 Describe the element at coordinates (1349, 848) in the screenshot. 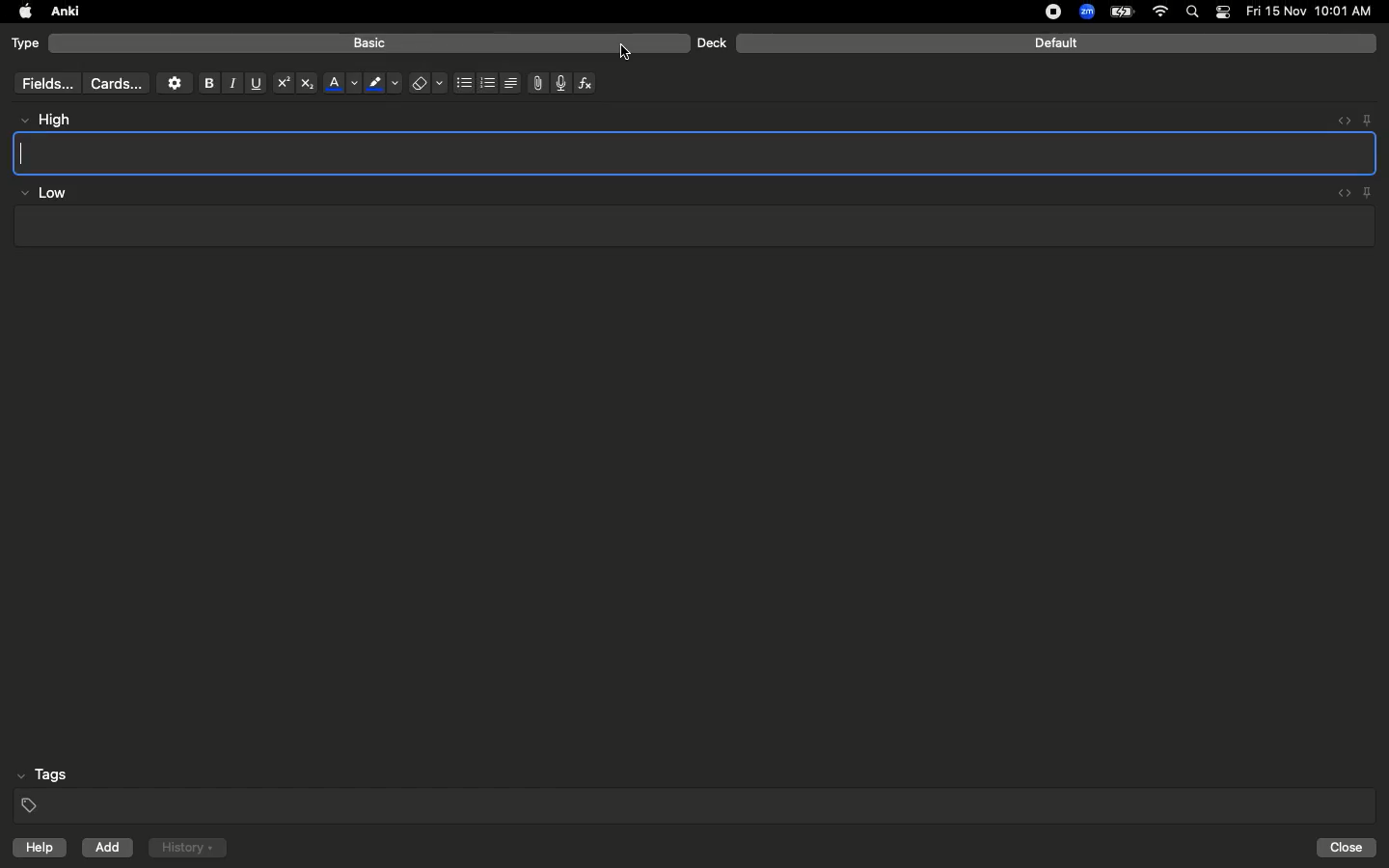

I see `Close` at that location.